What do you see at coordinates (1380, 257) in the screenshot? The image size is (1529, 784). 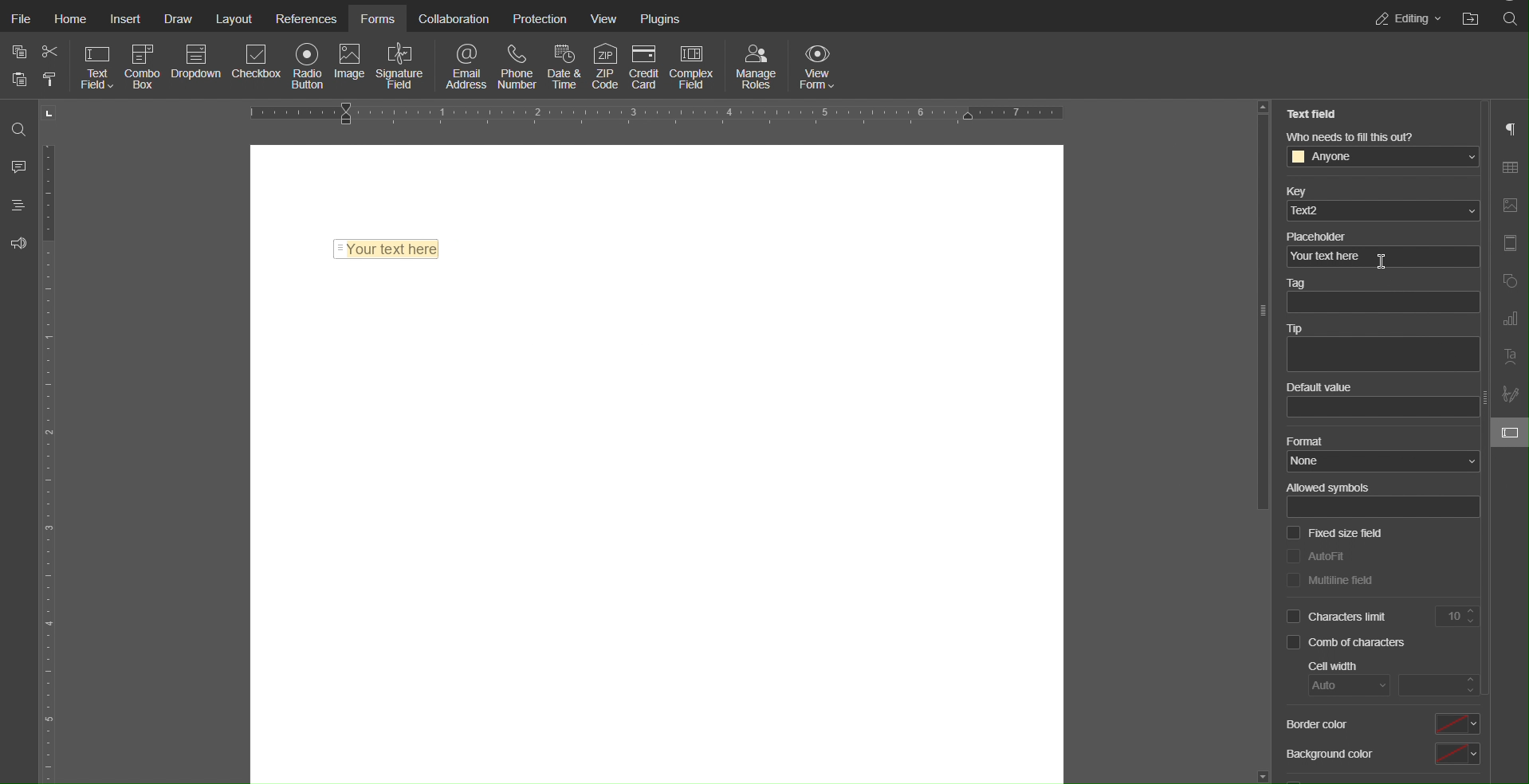 I see `cursor` at bounding box center [1380, 257].